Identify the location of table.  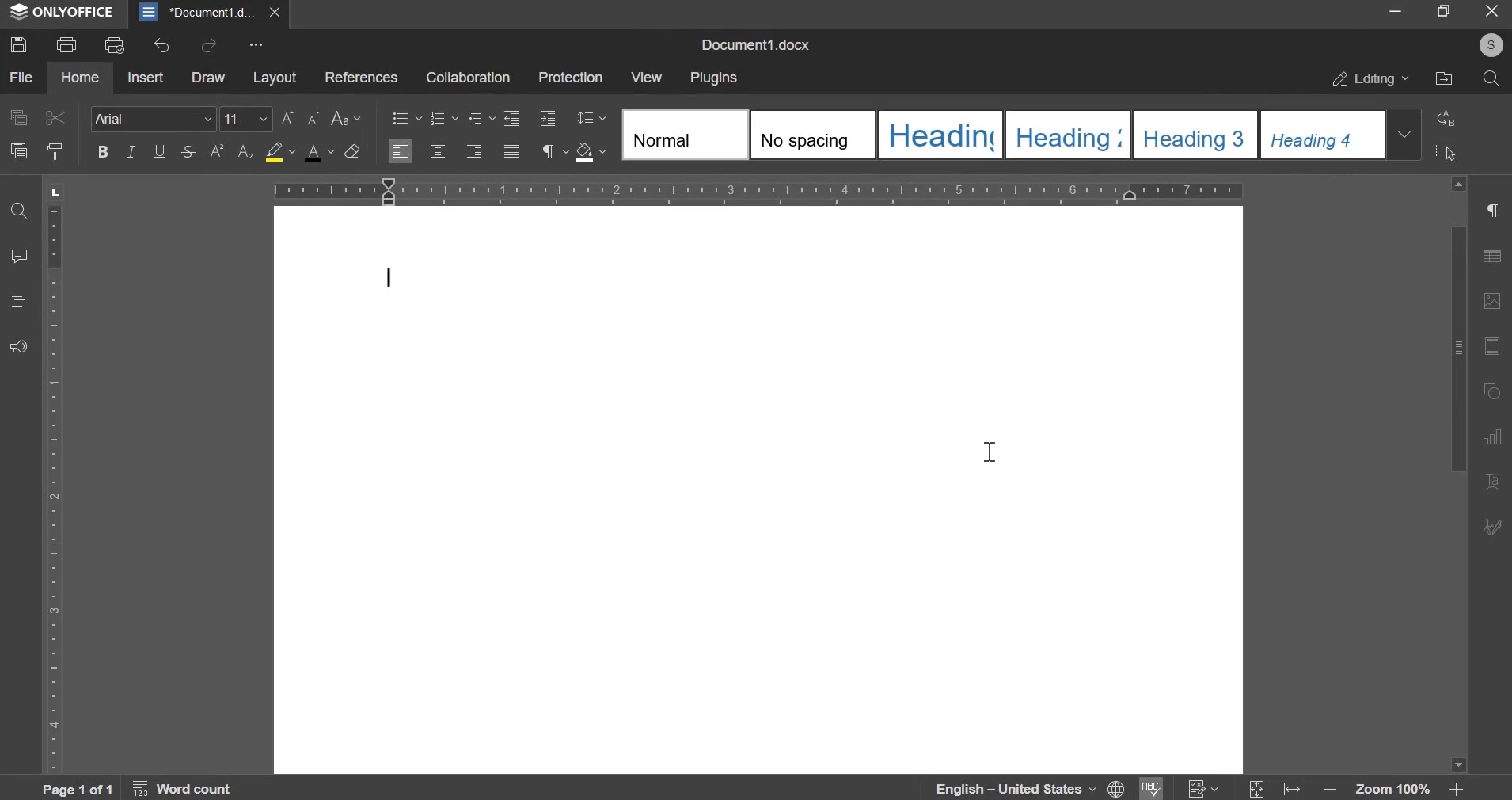
(1494, 257).